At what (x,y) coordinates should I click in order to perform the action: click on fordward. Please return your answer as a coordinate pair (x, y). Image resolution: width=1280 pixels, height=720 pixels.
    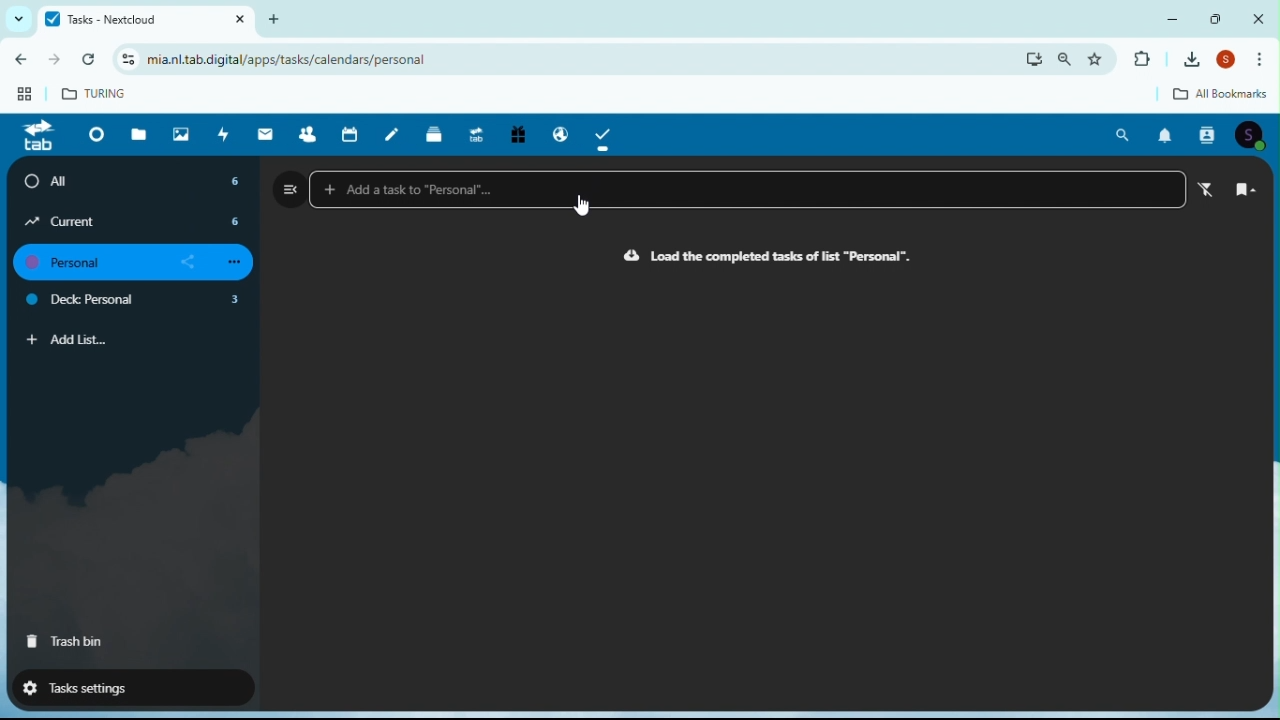
    Looking at the image, I should click on (56, 62).